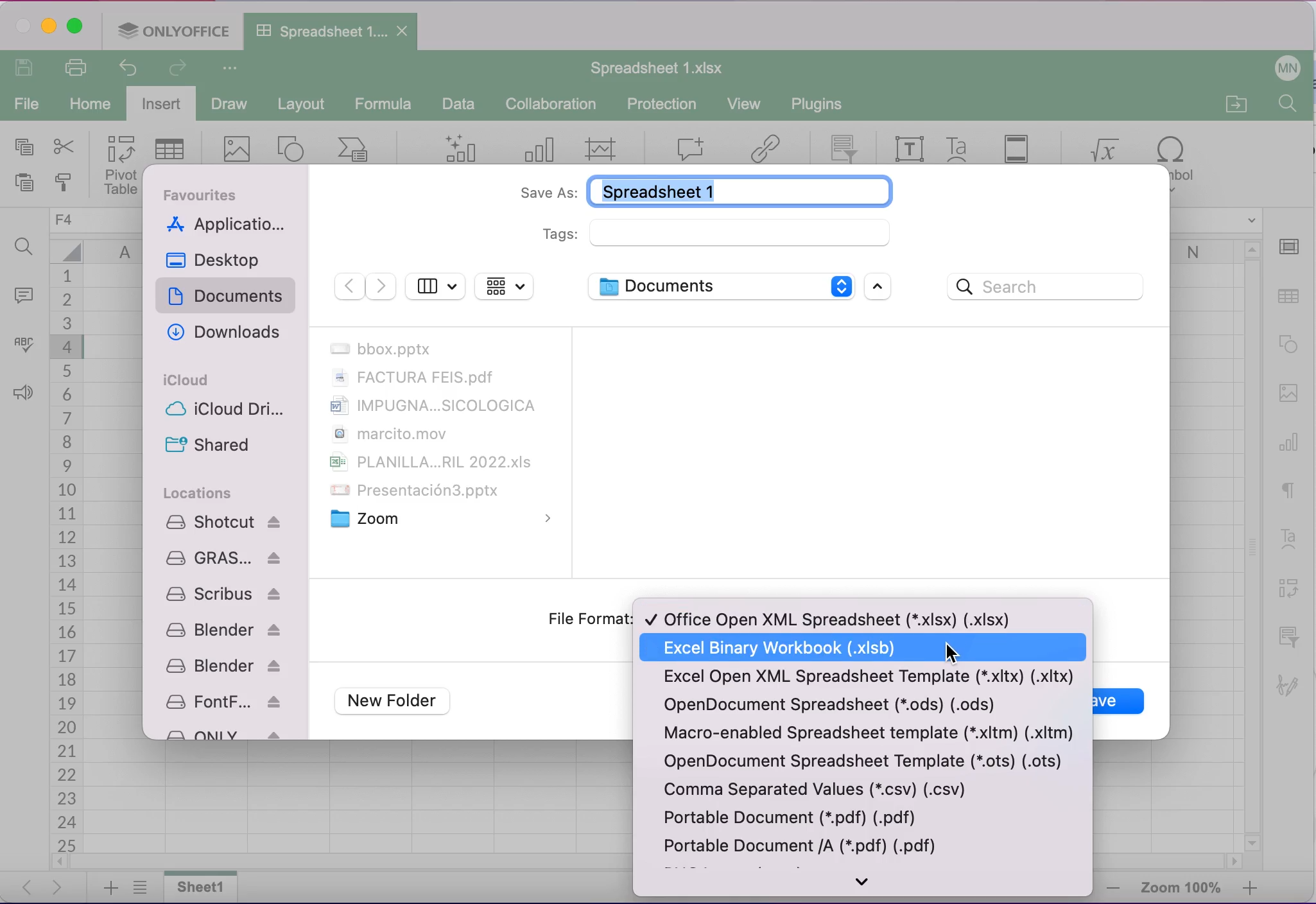  I want to click on maximize/minimize, so click(883, 288).